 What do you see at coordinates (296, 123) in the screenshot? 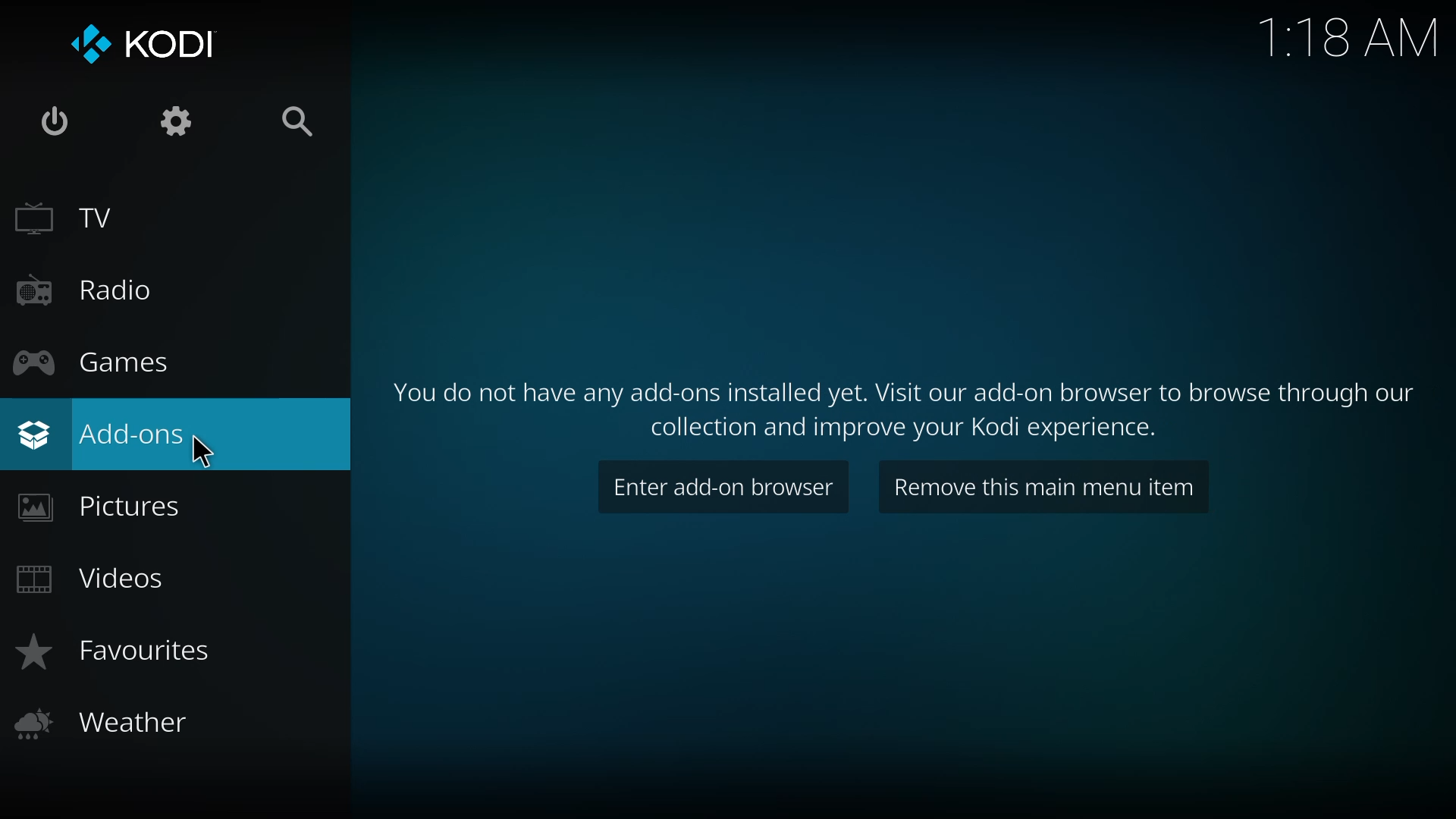
I see `search` at bounding box center [296, 123].